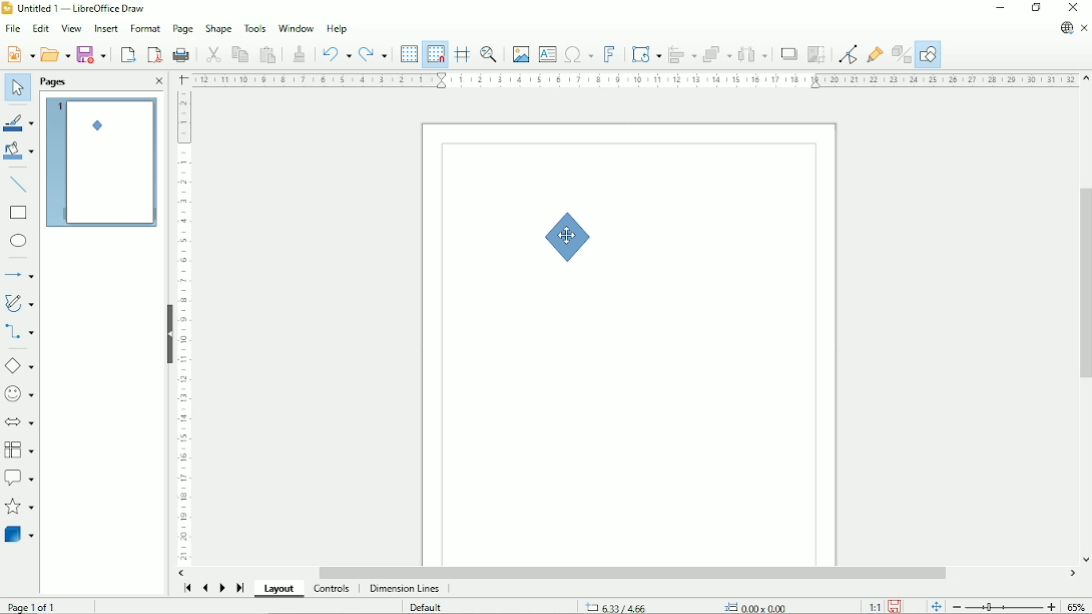 This screenshot has height=614, width=1092. I want to click on Zoom & pan, so click(488, 54).